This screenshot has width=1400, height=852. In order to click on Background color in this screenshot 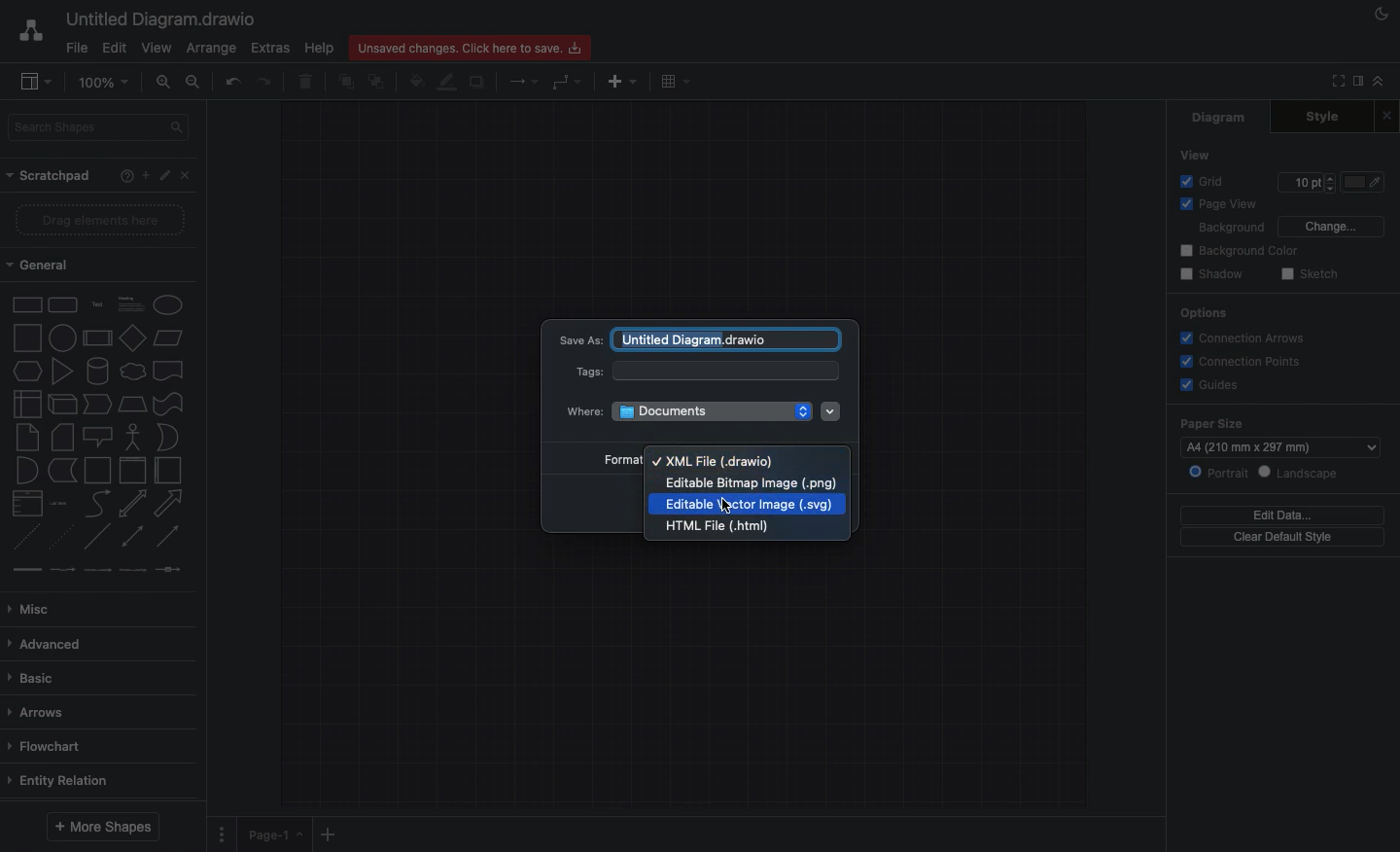, I will do `click(1238, 251)`.